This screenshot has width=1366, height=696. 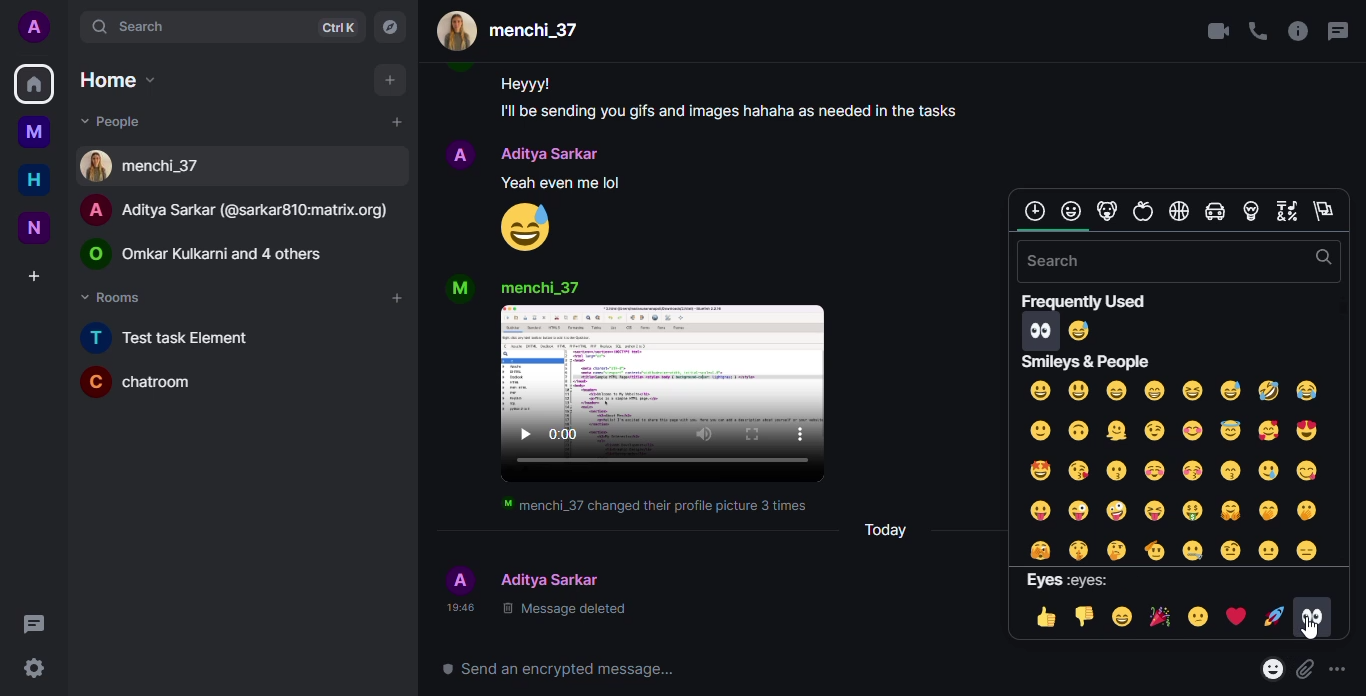 I want to click on I'l be sending you gifs and images hahaha as needed in the tasks, so click(x=728, y=109).